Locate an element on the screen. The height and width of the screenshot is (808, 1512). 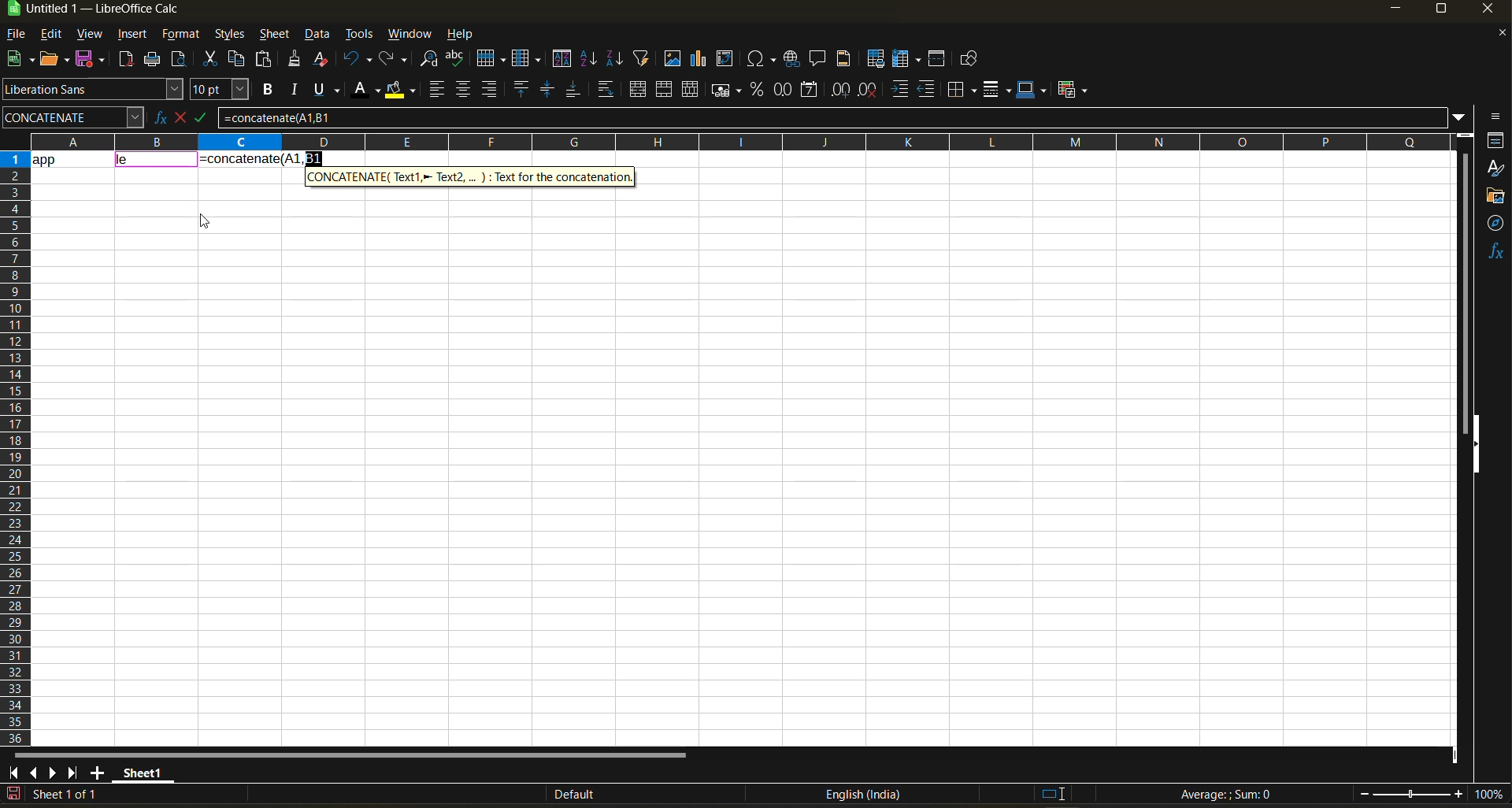
row is located at coordinates (491, 57).